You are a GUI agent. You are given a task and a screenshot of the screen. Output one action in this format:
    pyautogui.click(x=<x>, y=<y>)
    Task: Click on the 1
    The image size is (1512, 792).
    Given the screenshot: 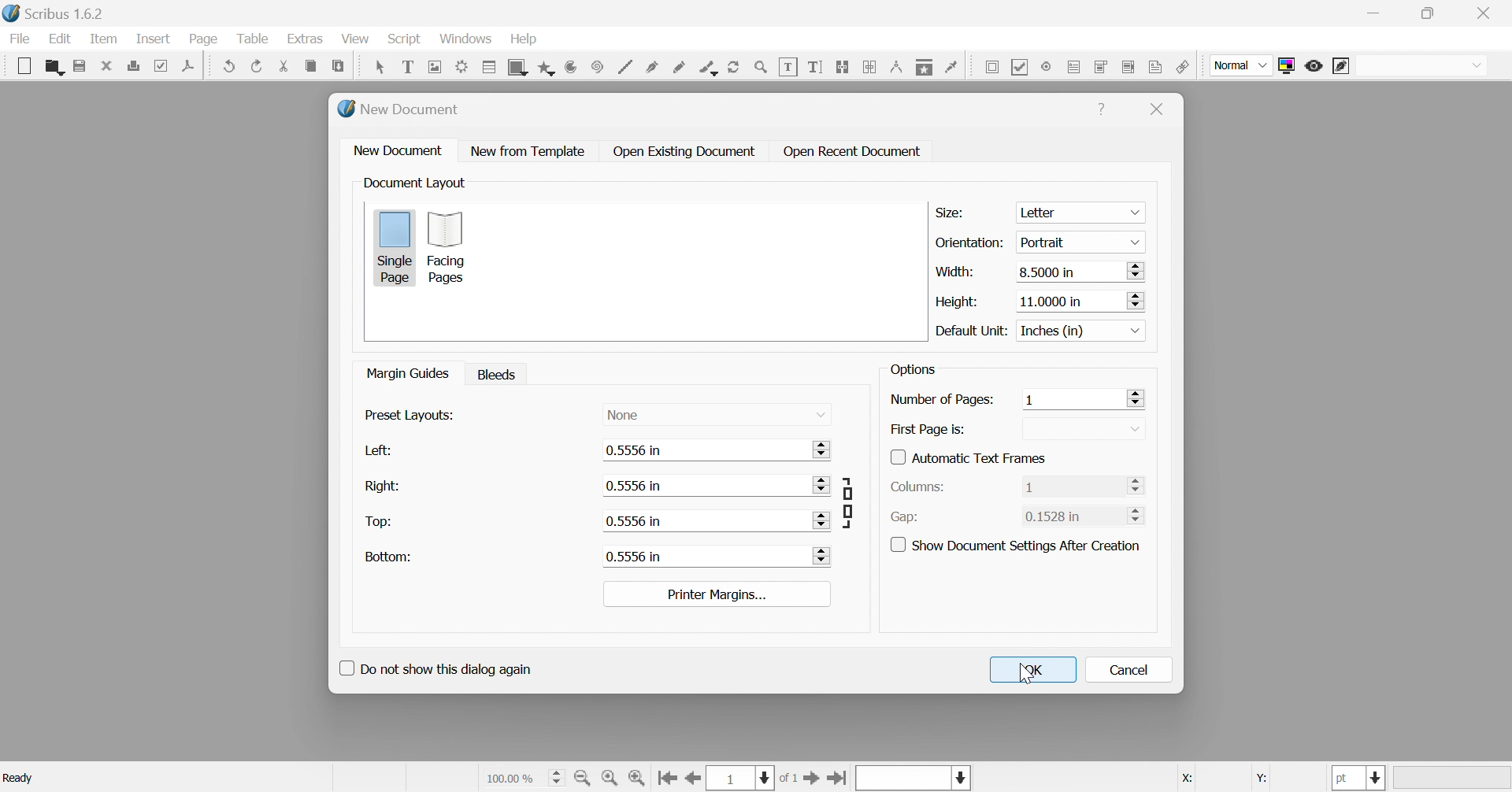 What is the action you would take?
    pyautogui.click(x=1030, y=487)
    